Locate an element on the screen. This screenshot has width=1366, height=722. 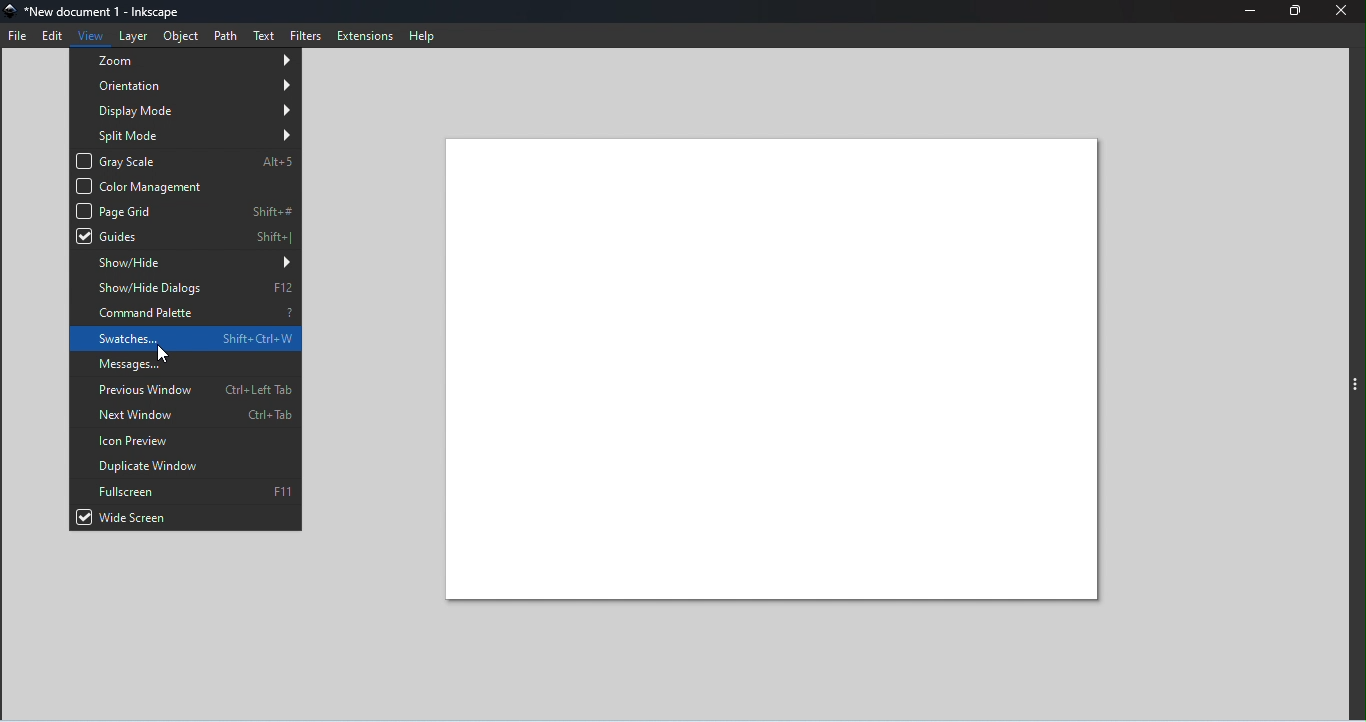
Cursor is located at coordinates (166, 355).